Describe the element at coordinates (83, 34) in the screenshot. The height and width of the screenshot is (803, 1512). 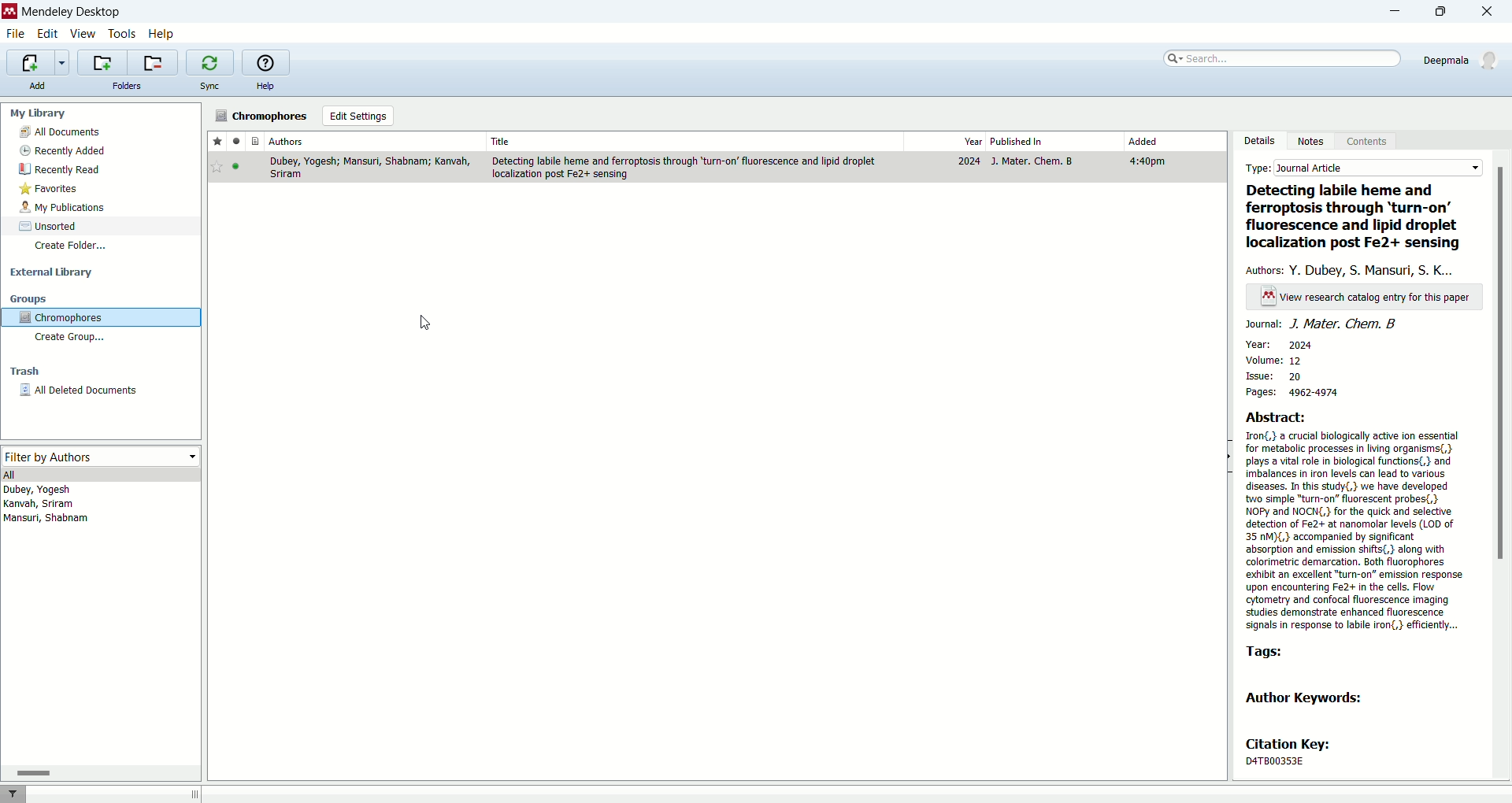
I see `view` at that location.